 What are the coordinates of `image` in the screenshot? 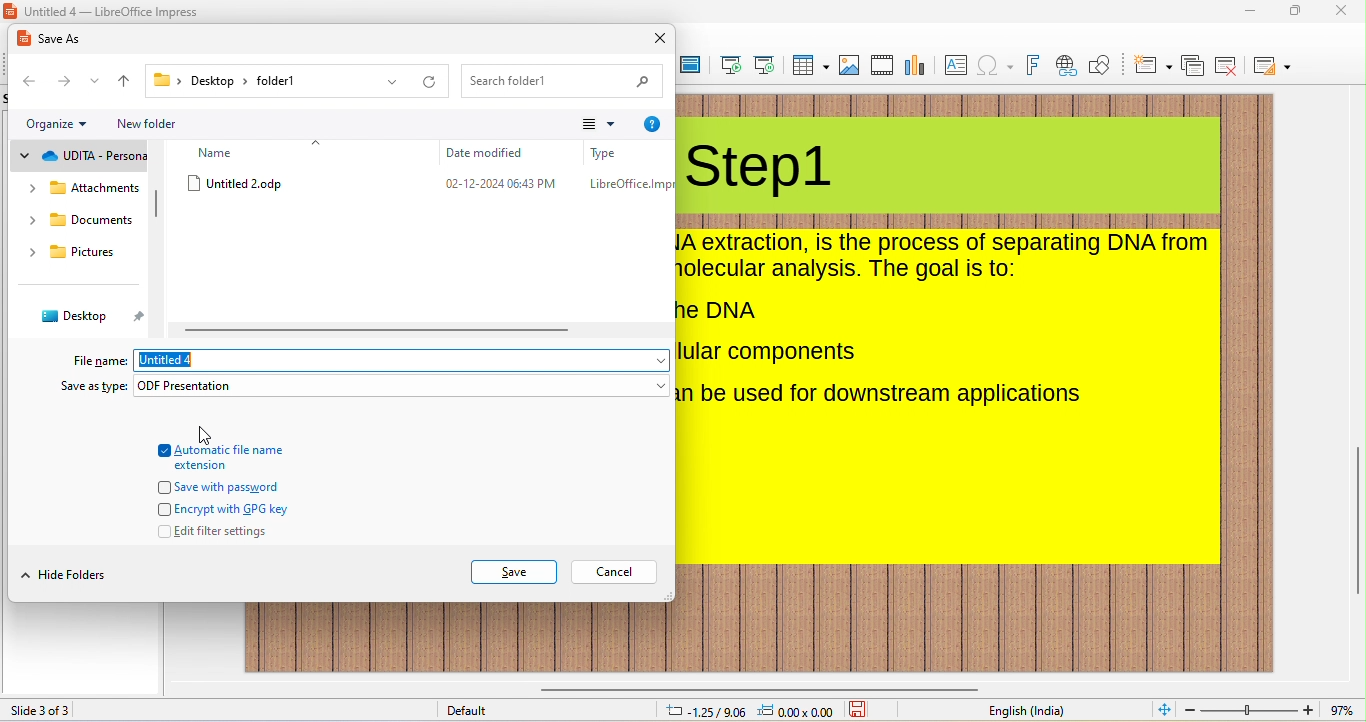 It's located at (849, 65).